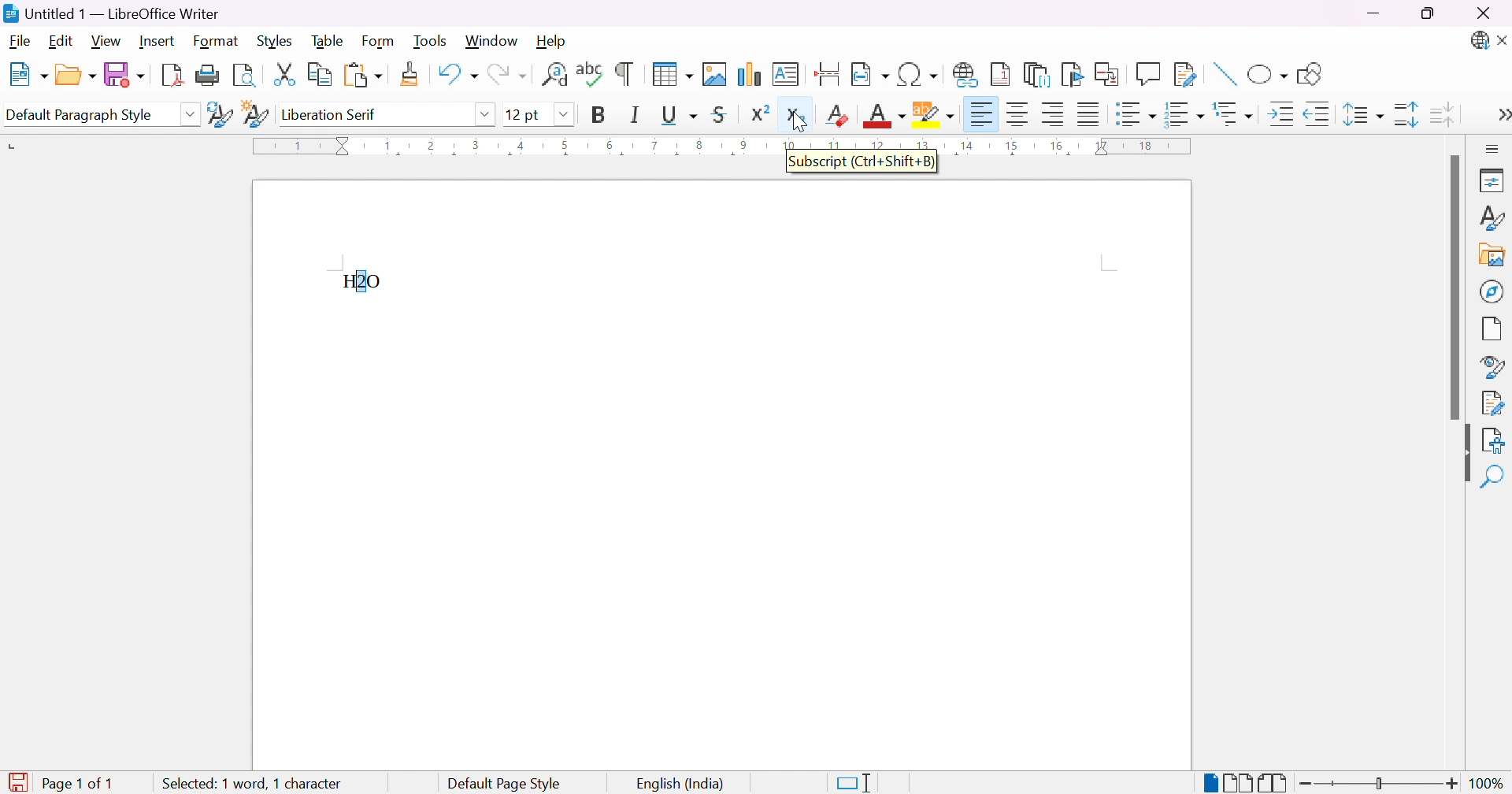 The image size is (1512, 794). What do you see at coordinates (1503, 42) in the screenshot?
I see `Close` at bounding box center [1503, 42].